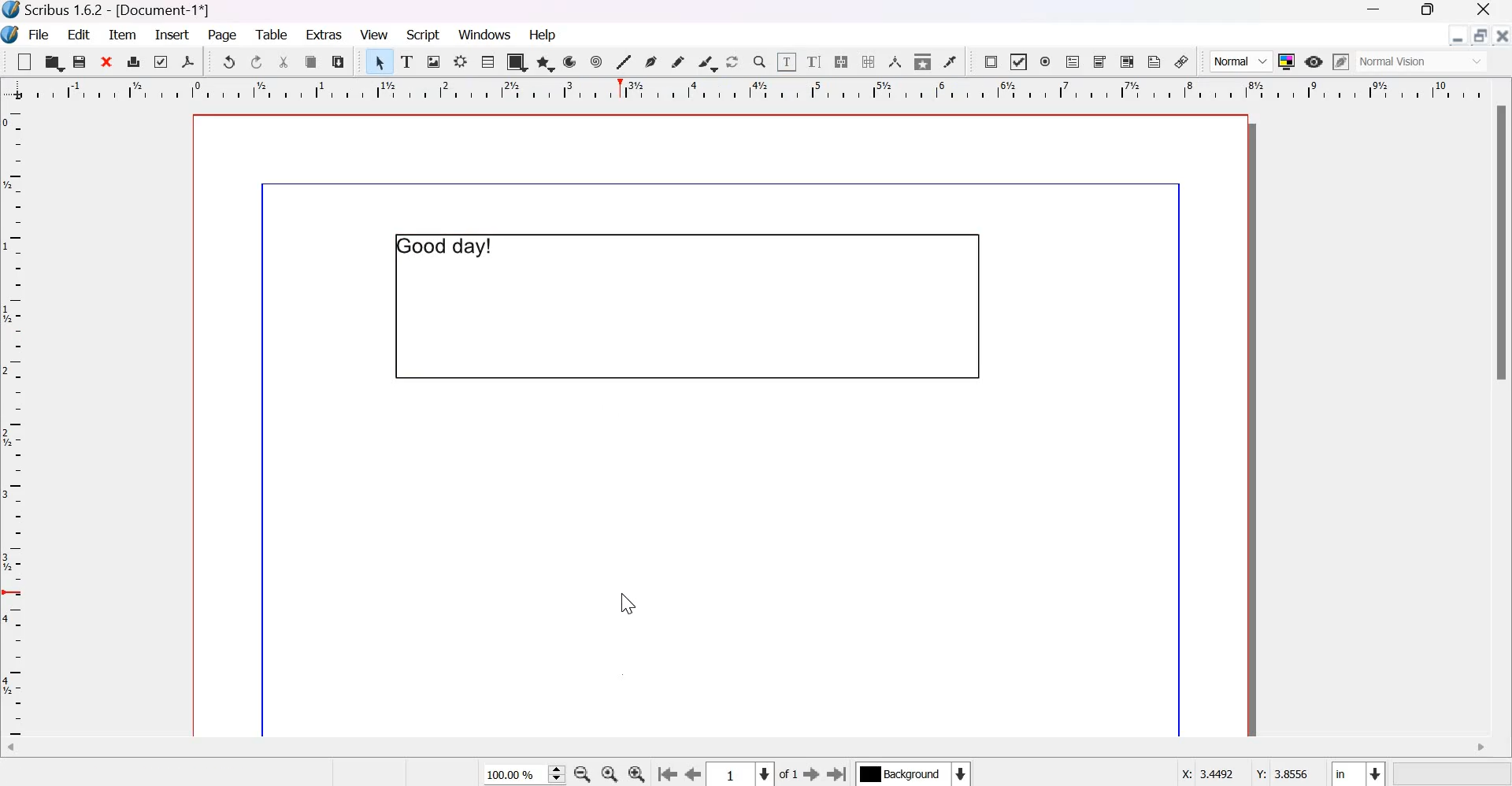  Describe the element at coordinates (1128, 61) in the screenshot. I see `PDF list box` at that location.